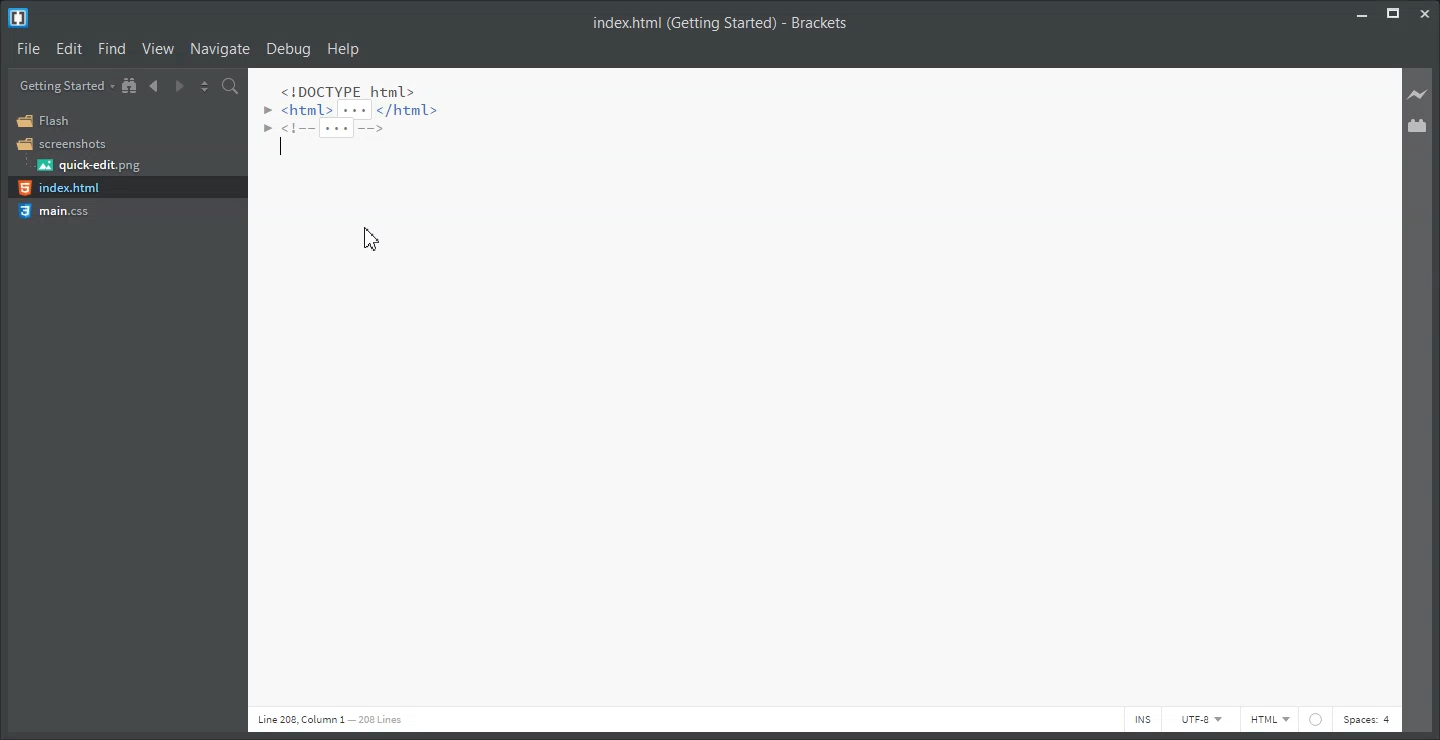 Image resolution: width=1440 pixels, height=740 pixels. I want to click on Debug, so click(288, 50).